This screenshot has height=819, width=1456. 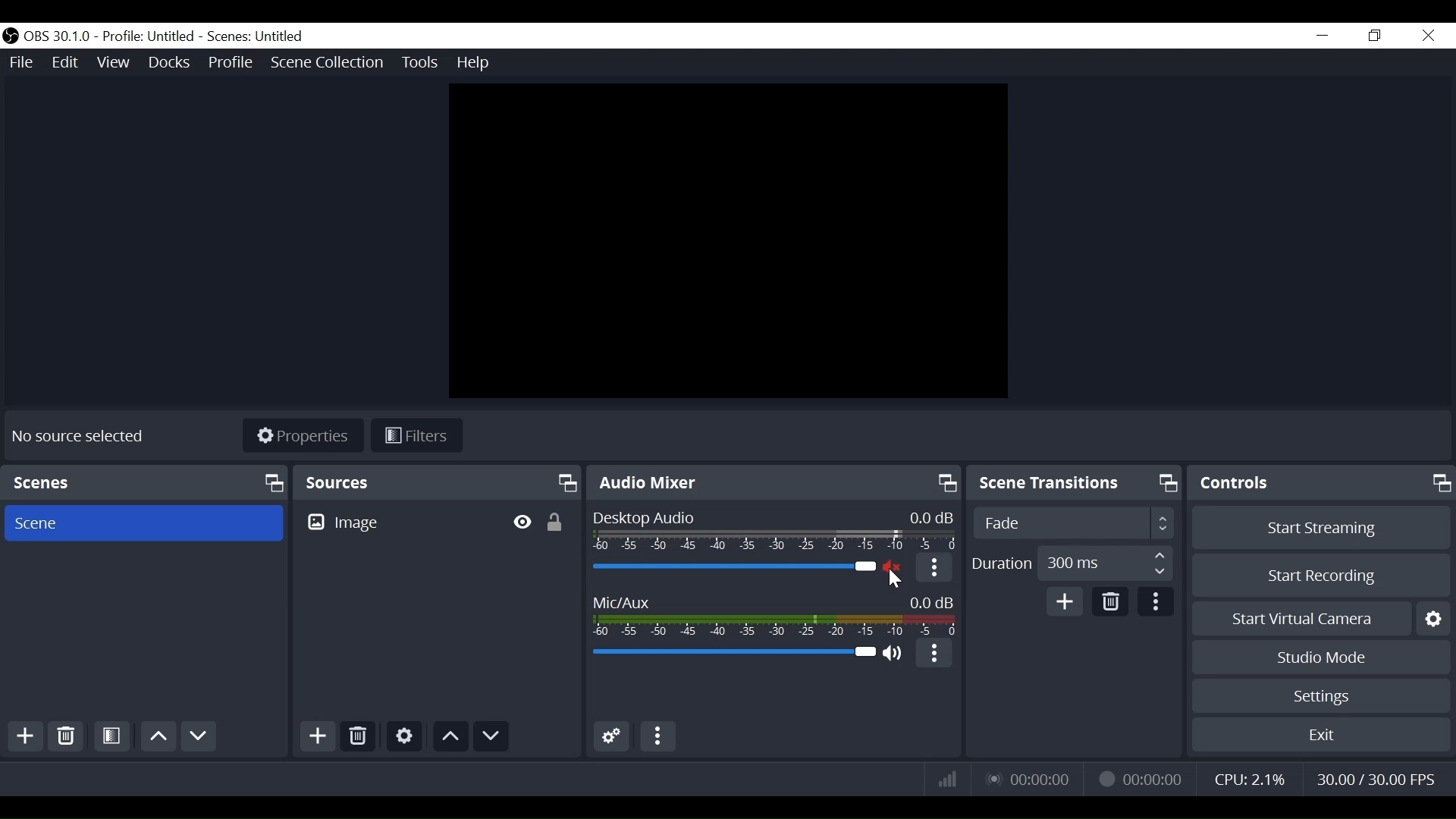 I want to click on Settings, so click(x=1320, y=695).